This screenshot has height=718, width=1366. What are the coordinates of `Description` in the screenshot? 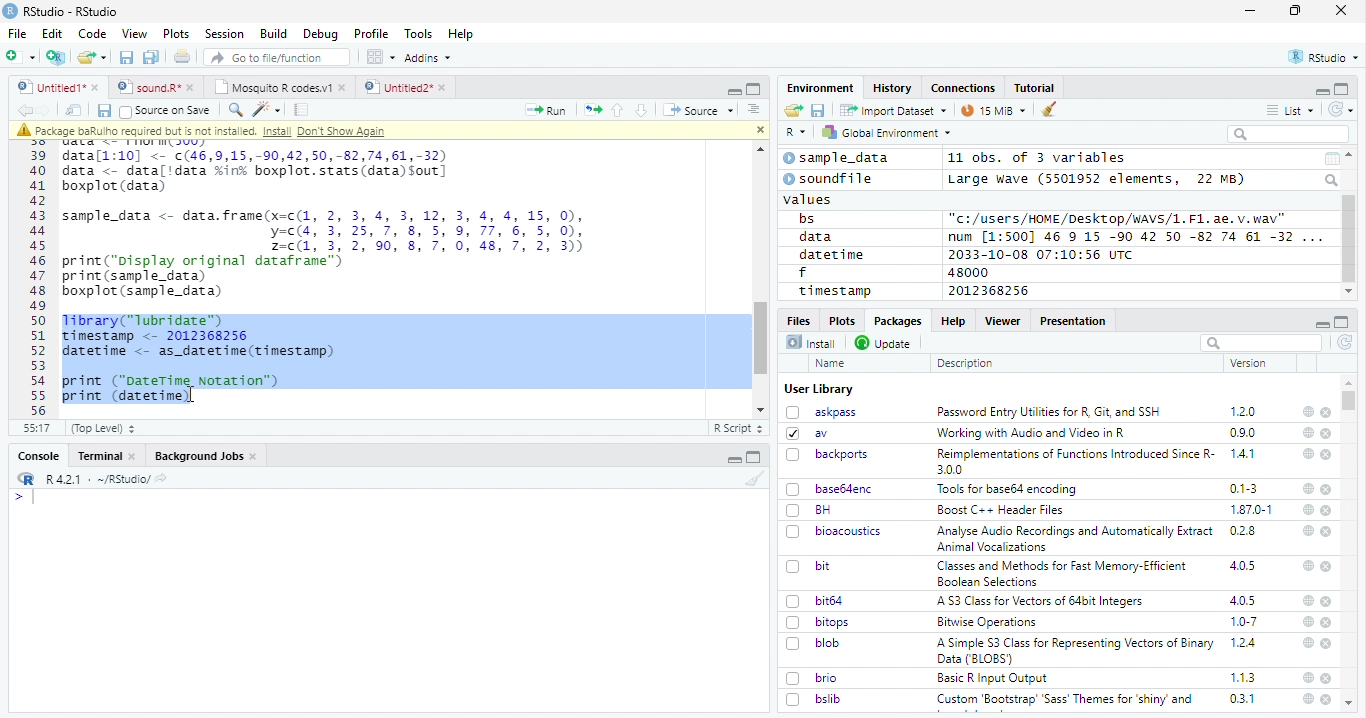 It's located at (966, 363).